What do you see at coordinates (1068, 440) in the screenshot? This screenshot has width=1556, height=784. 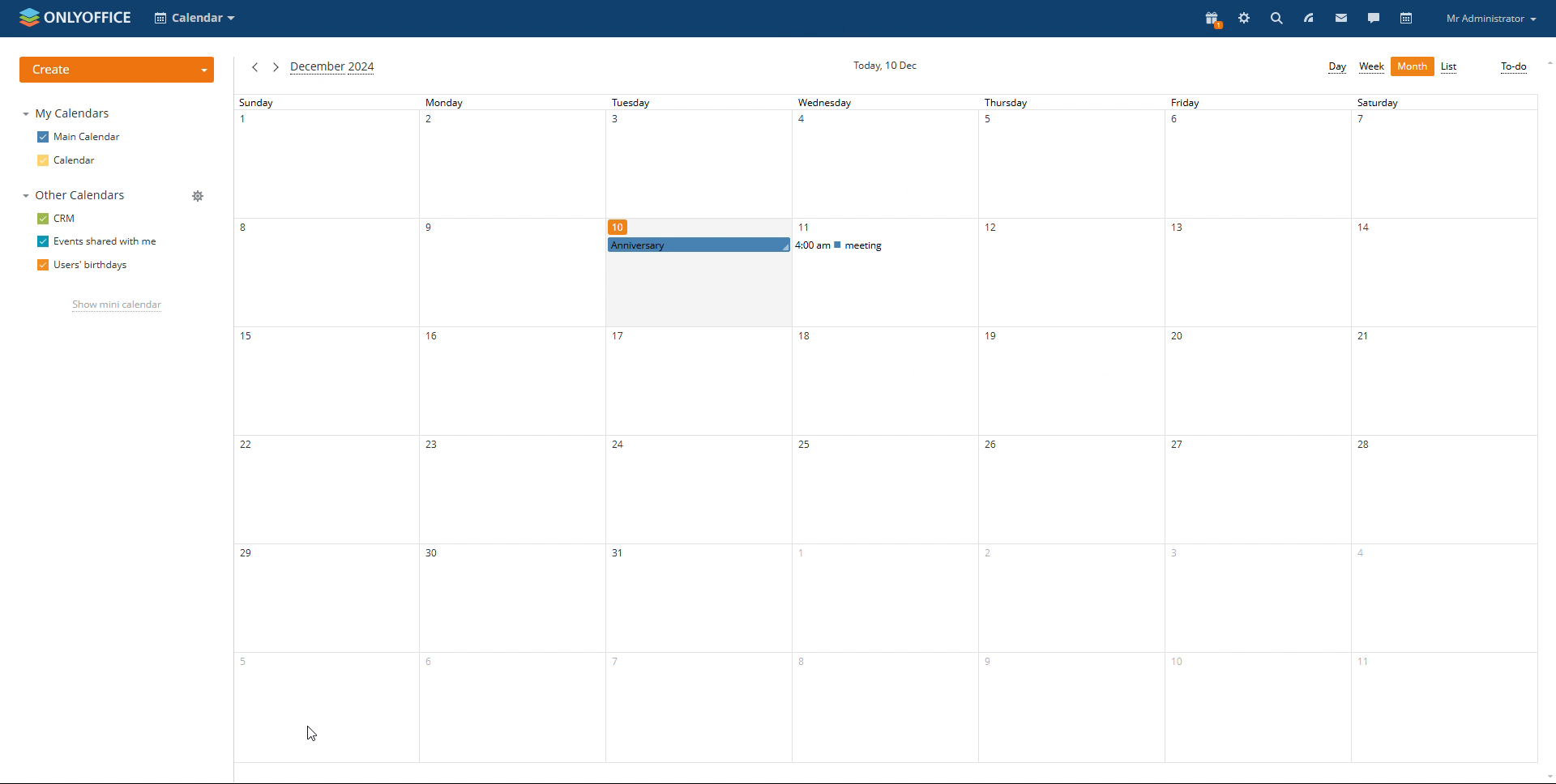 I see `thursday` at bounding box center [1068, 440].